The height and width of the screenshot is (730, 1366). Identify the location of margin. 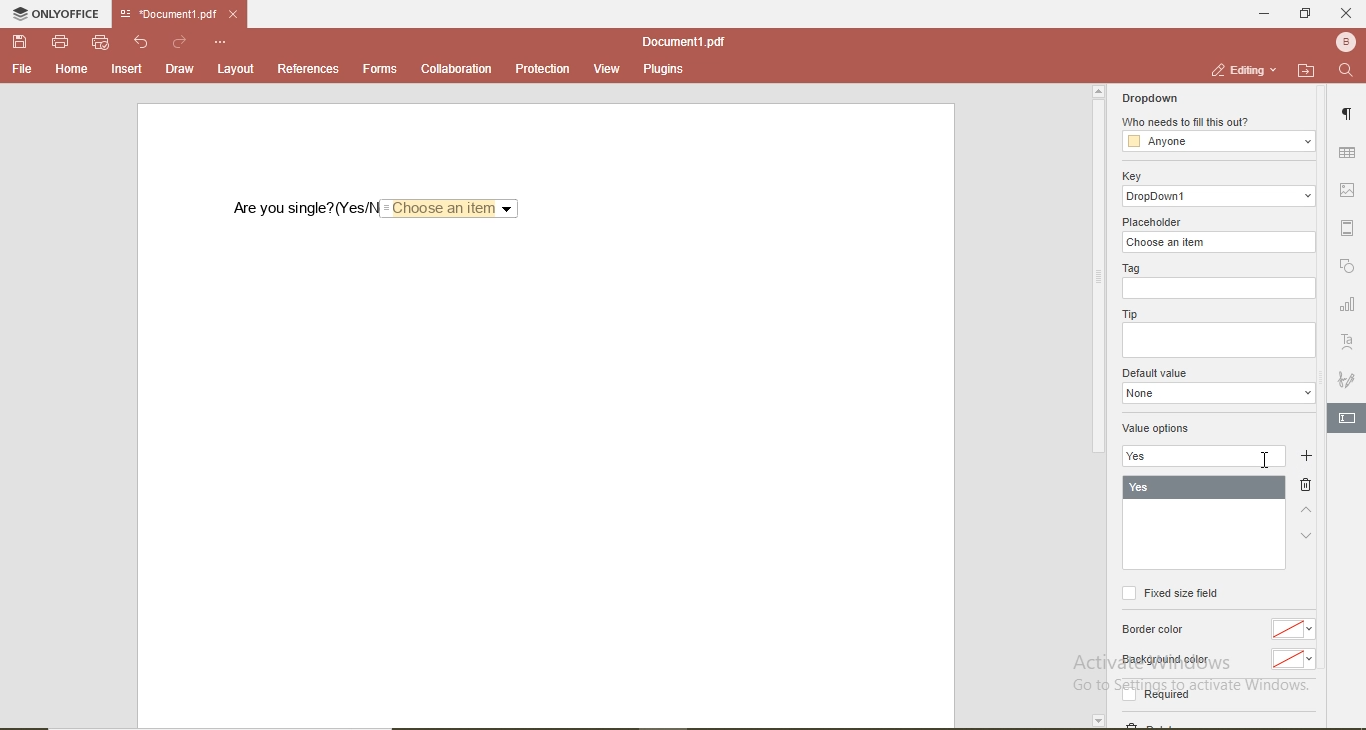
(1348, 225).